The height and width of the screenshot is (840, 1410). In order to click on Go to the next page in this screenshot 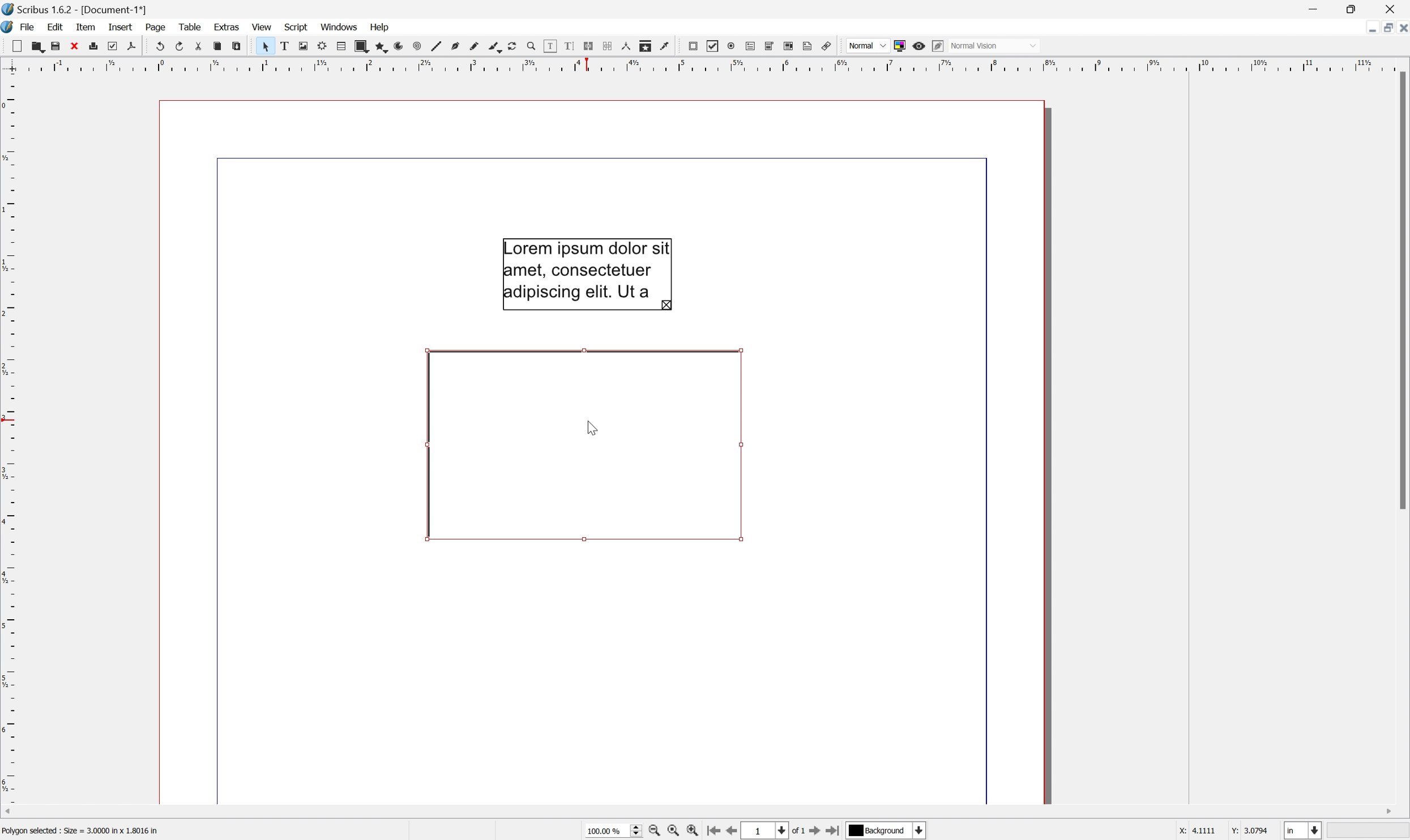, I will do `click(815, 830)`.